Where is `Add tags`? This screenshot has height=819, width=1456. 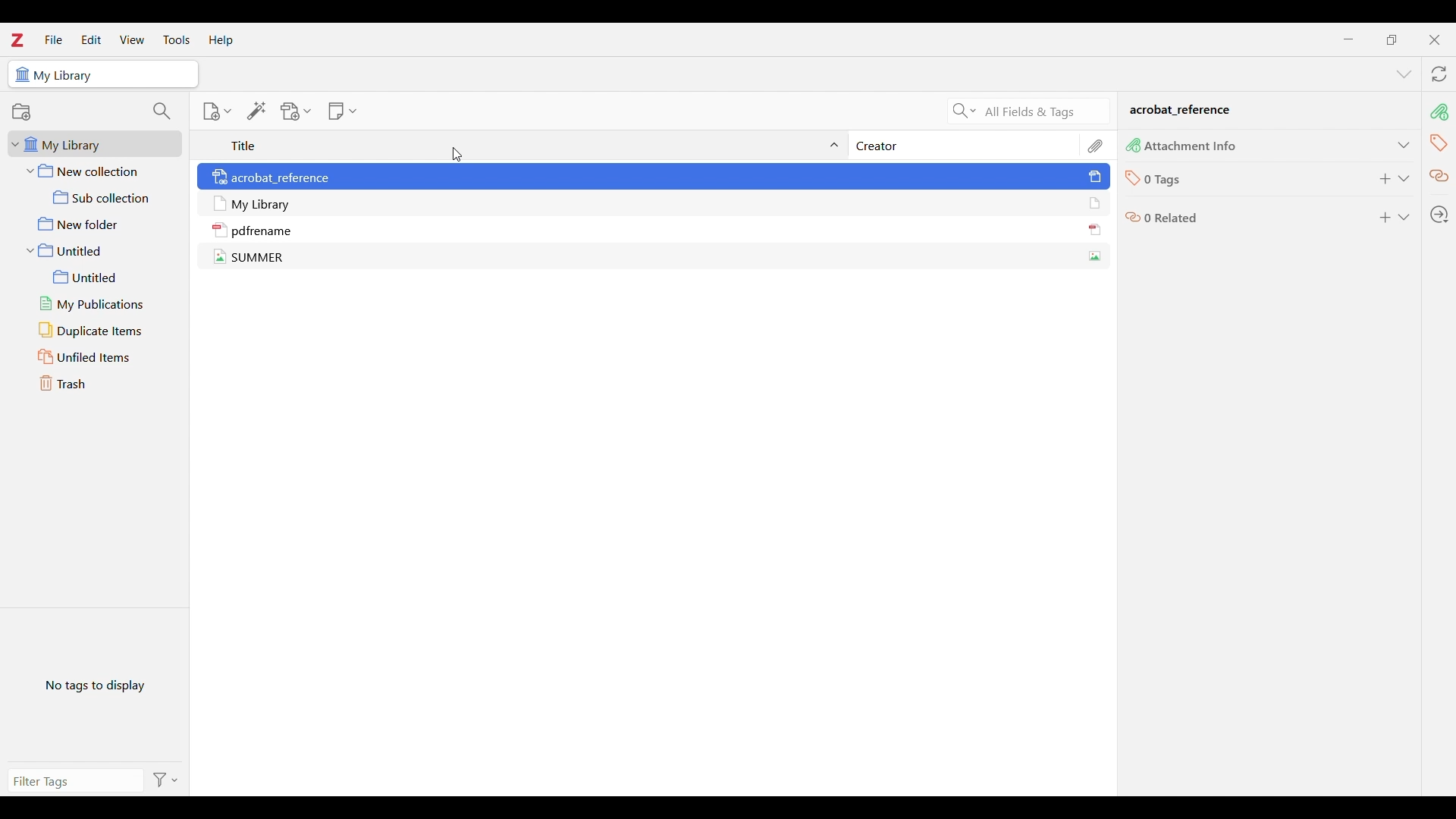
Add tags is located at coordinates (1386, 179).